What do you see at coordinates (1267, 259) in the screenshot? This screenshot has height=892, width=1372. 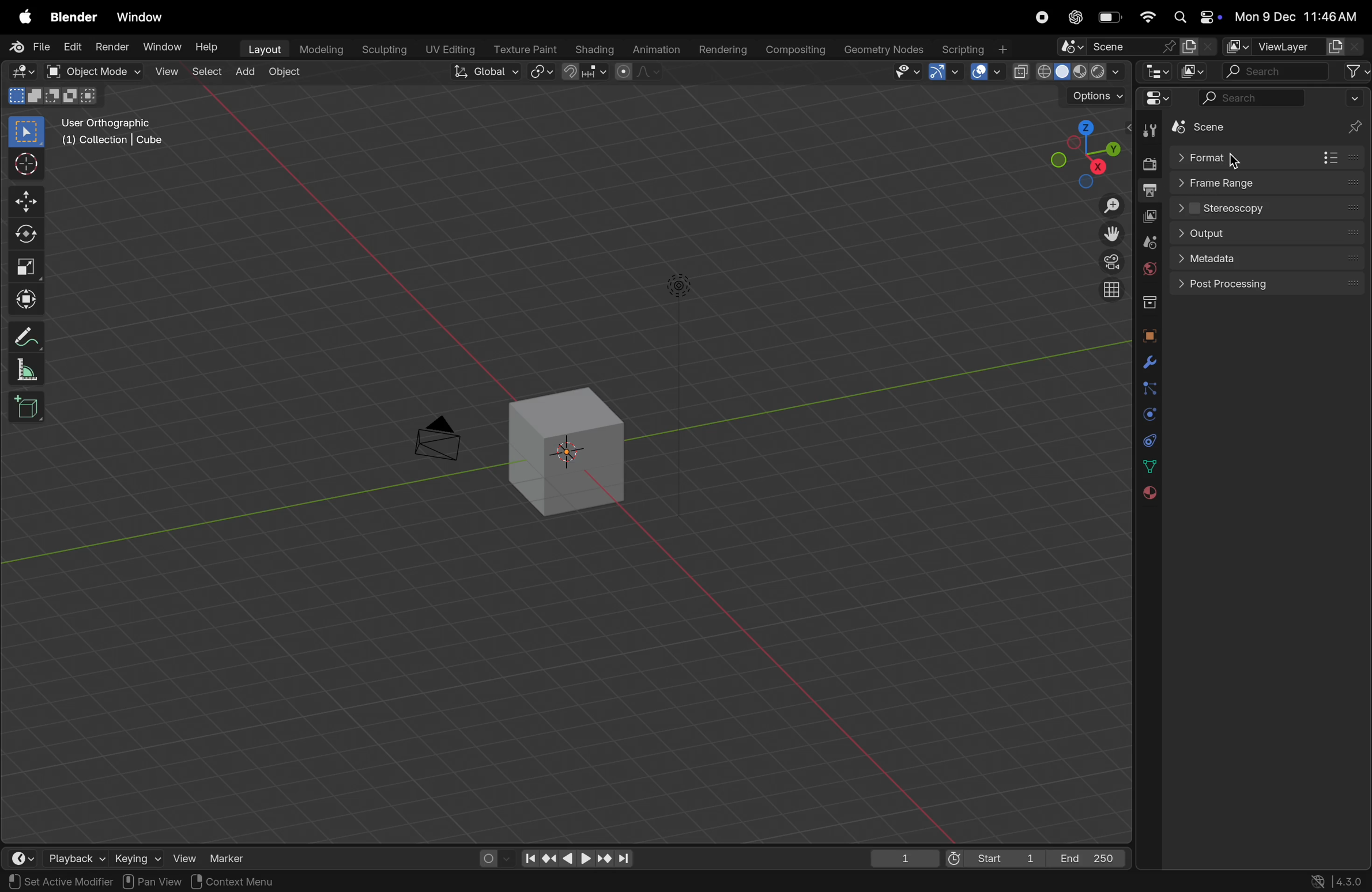 I see `metadata` at bounding box center [1267, 259].